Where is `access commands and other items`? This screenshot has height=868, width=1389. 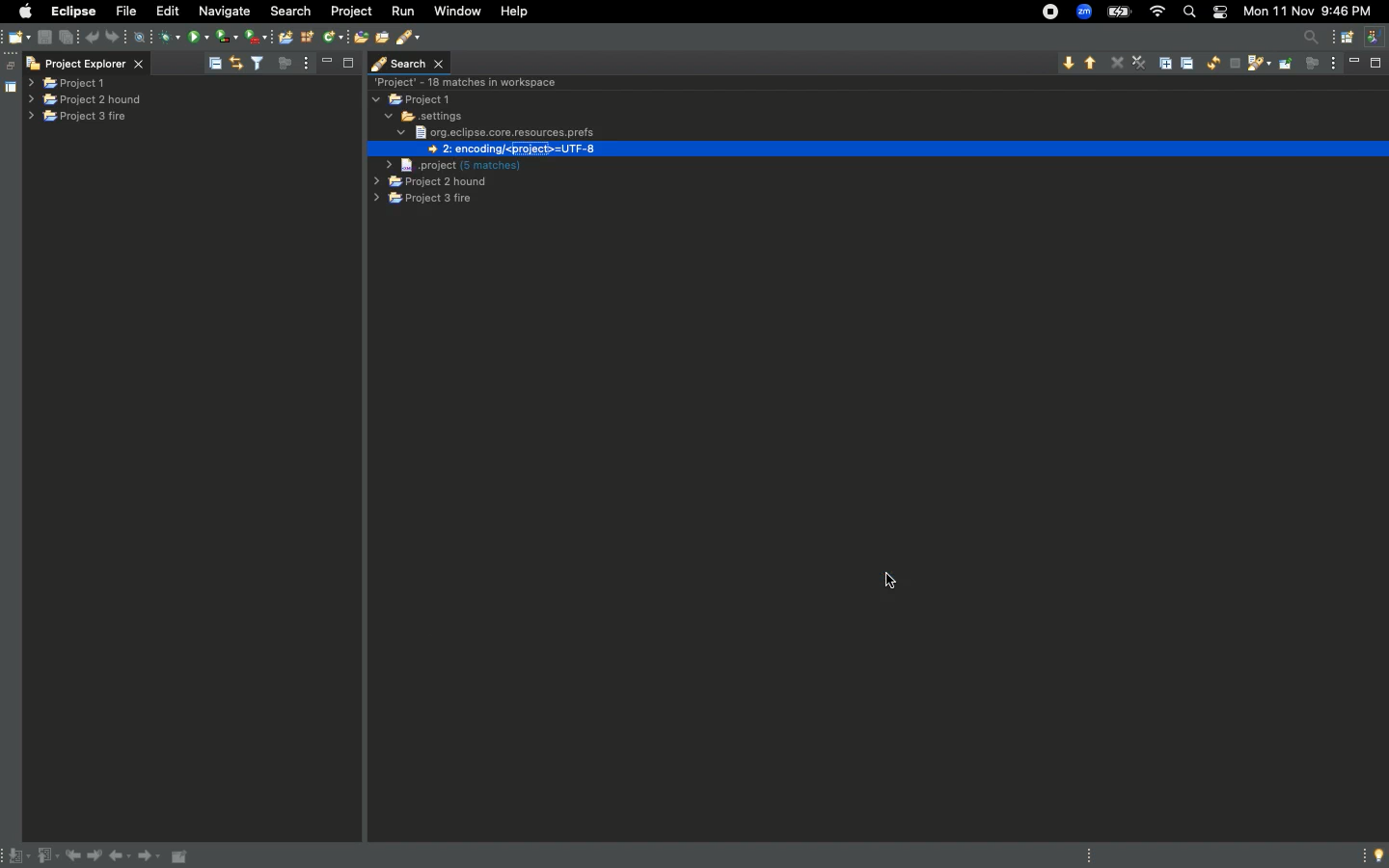
access commands and other items is located at coordinates (1314, 37).